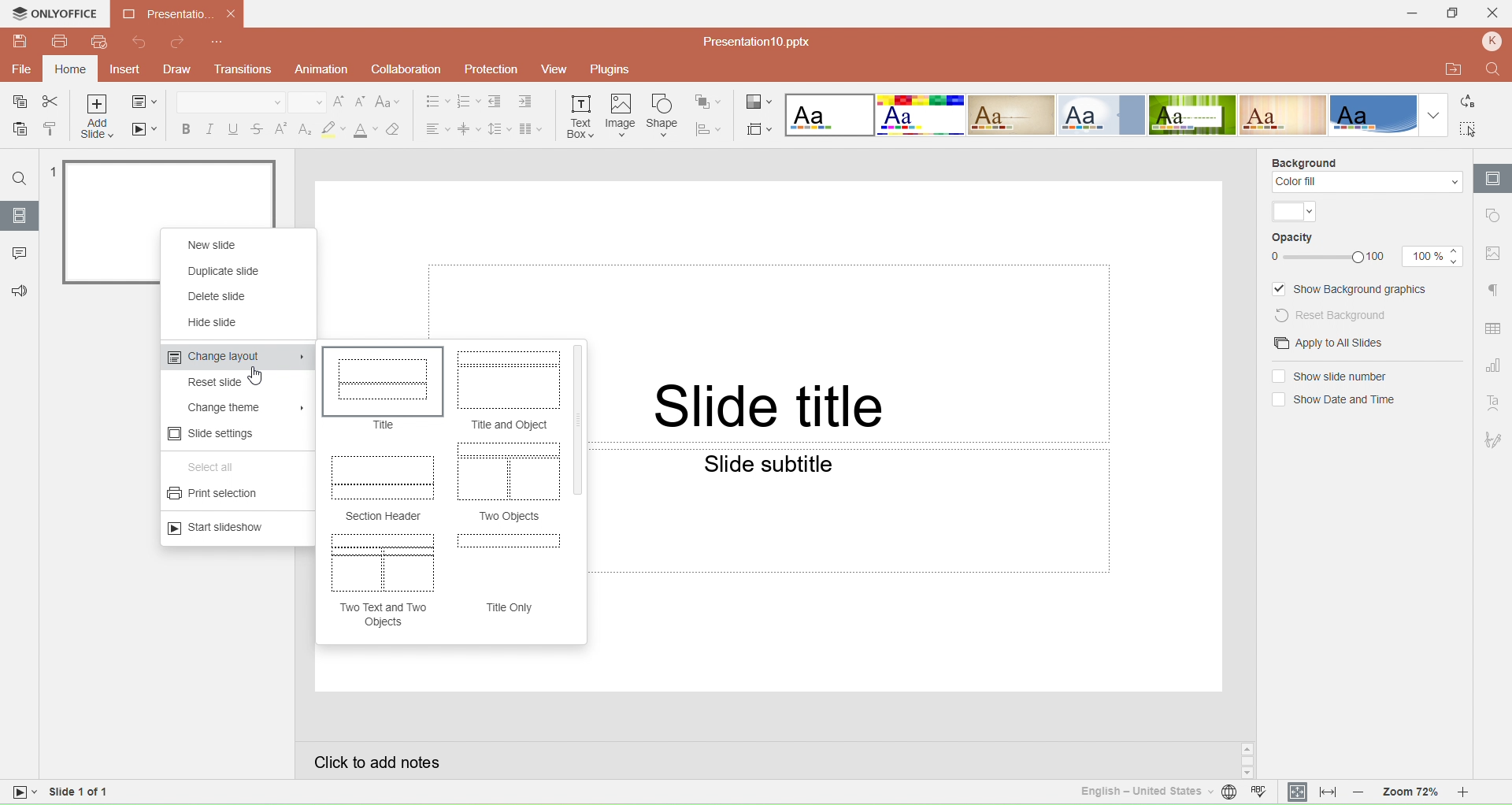 The image size is (1512, 805). What do you see at coordinates (218, 496) in the screenshot?
I see `Print section` at bounding box center [218, 496].